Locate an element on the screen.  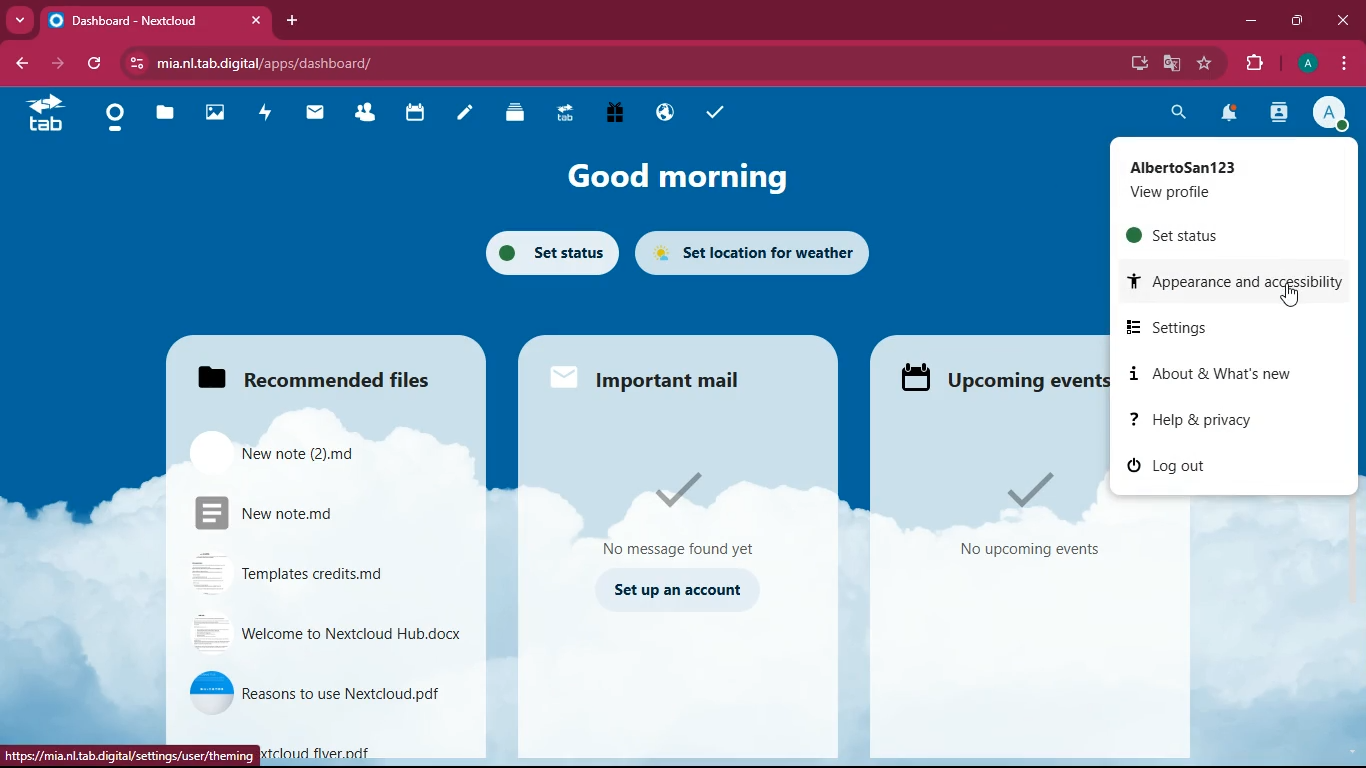
good morning is located at coordinates (673, 177).